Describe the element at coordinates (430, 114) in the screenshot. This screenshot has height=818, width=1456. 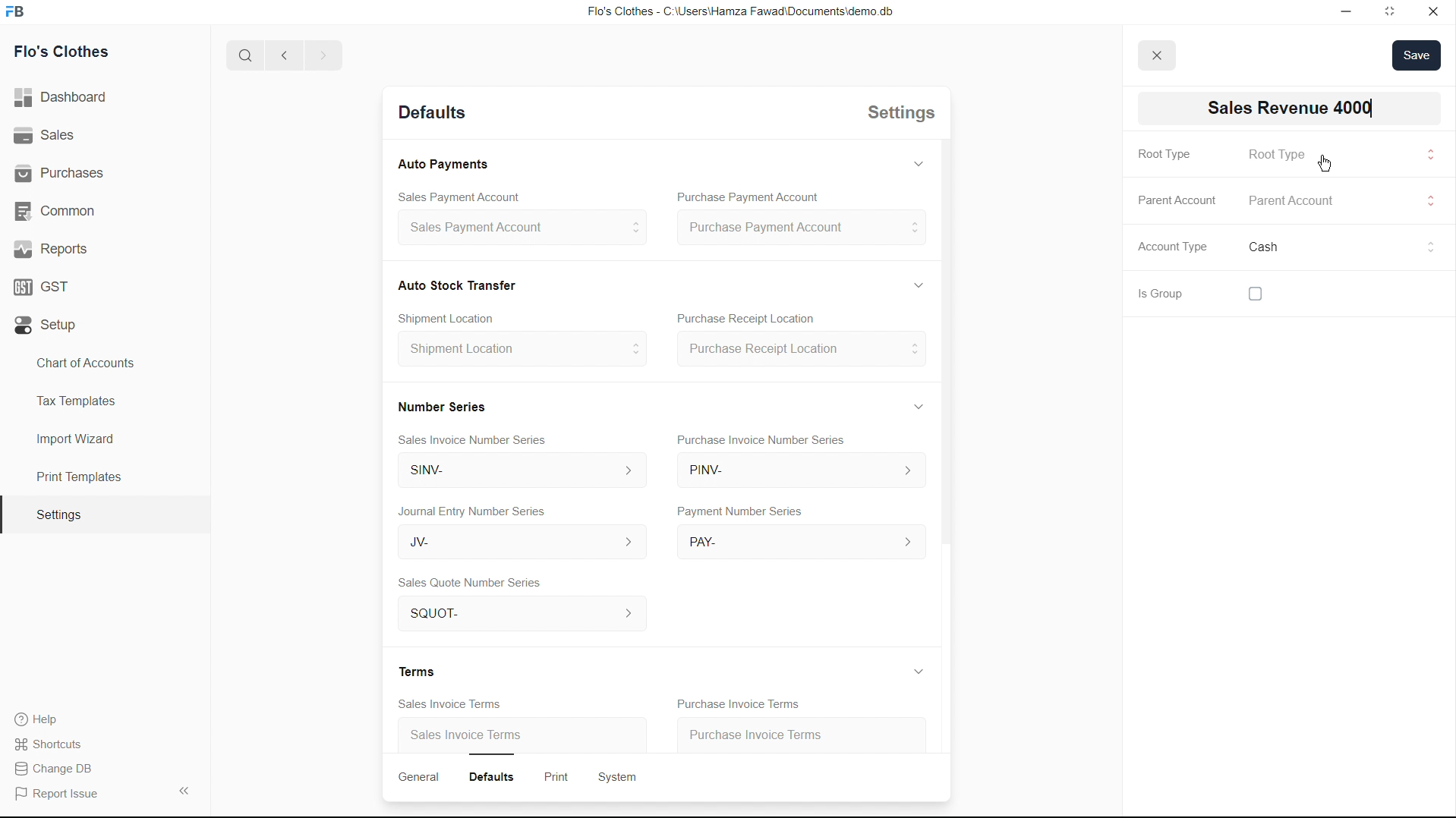
I see `Detaults` at that location.